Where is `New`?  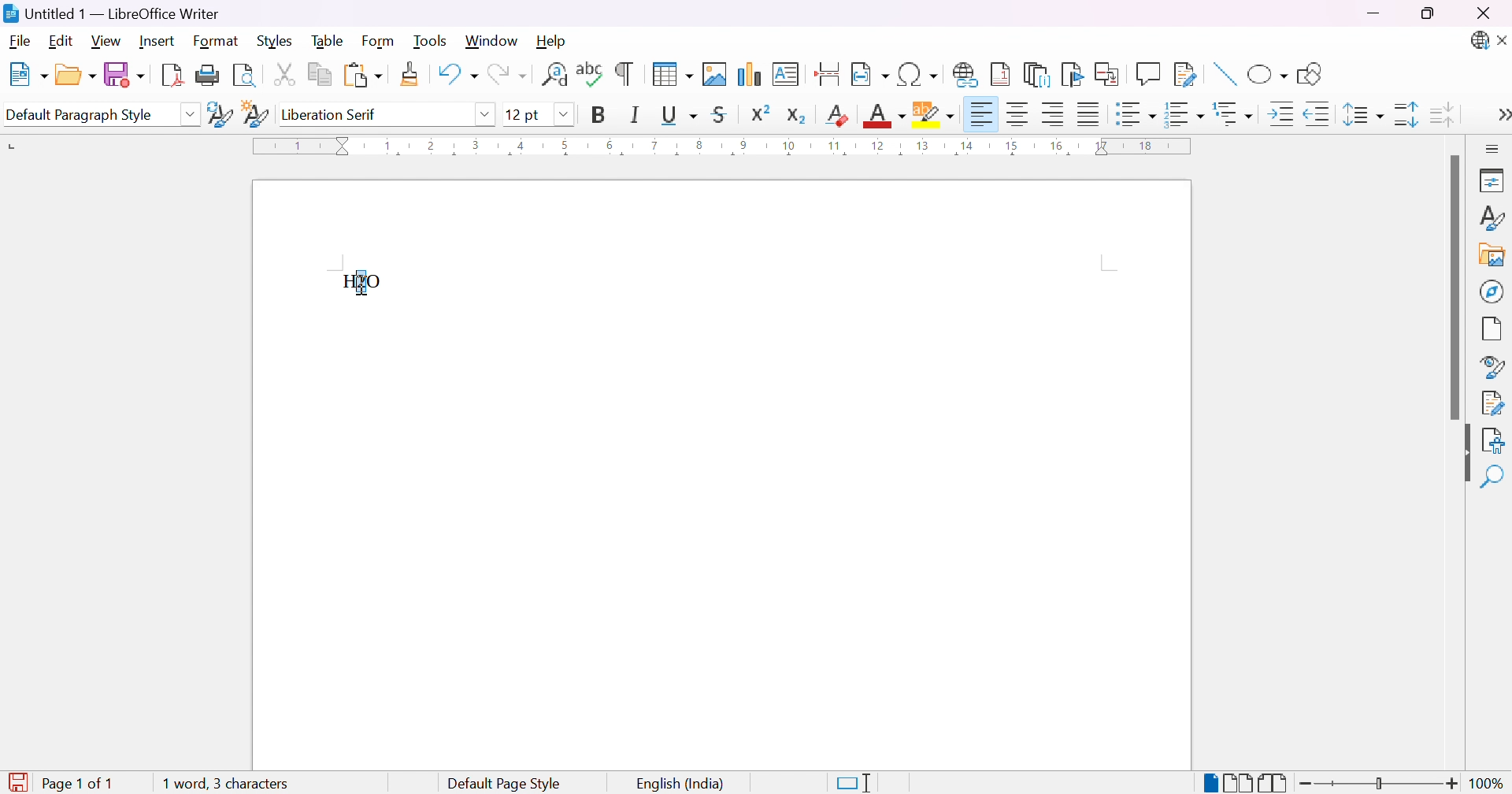
New is located at coordinates (27, 76).